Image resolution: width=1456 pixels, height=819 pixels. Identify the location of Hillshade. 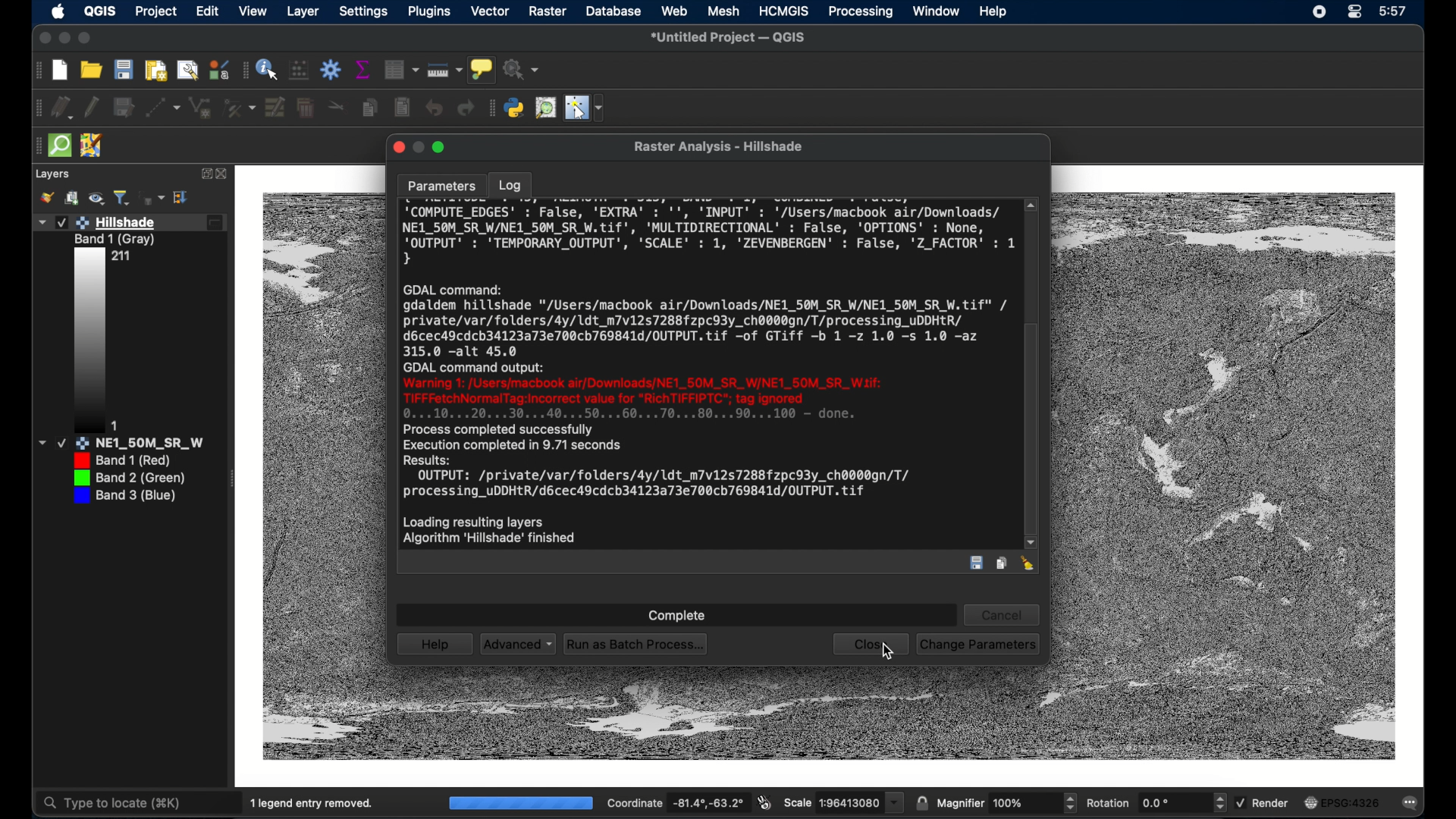
(140, 221).